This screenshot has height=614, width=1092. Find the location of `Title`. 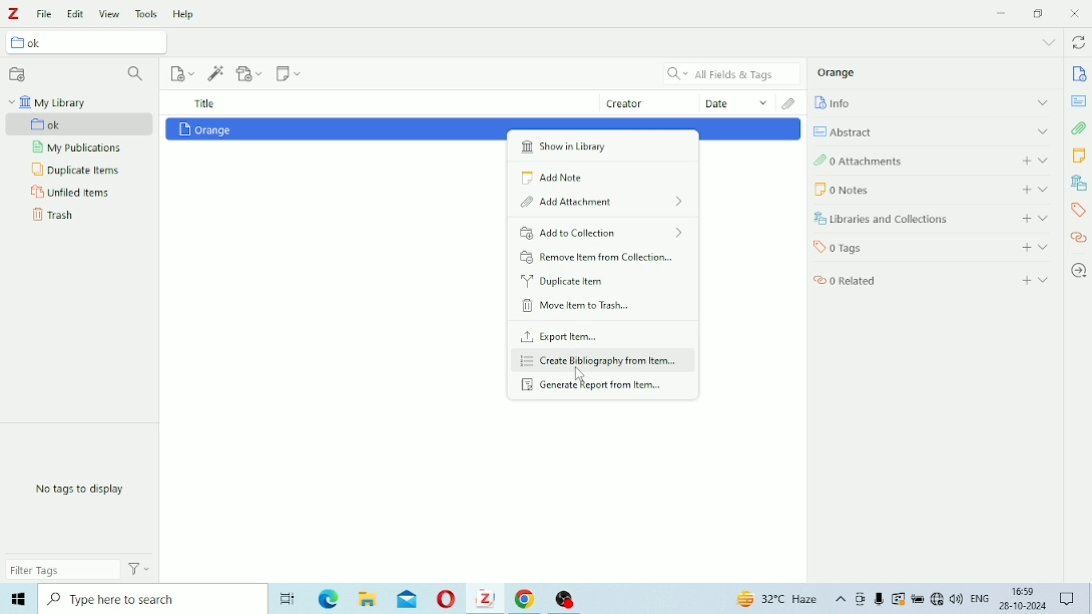

Title is located at coordinates (205, 103).